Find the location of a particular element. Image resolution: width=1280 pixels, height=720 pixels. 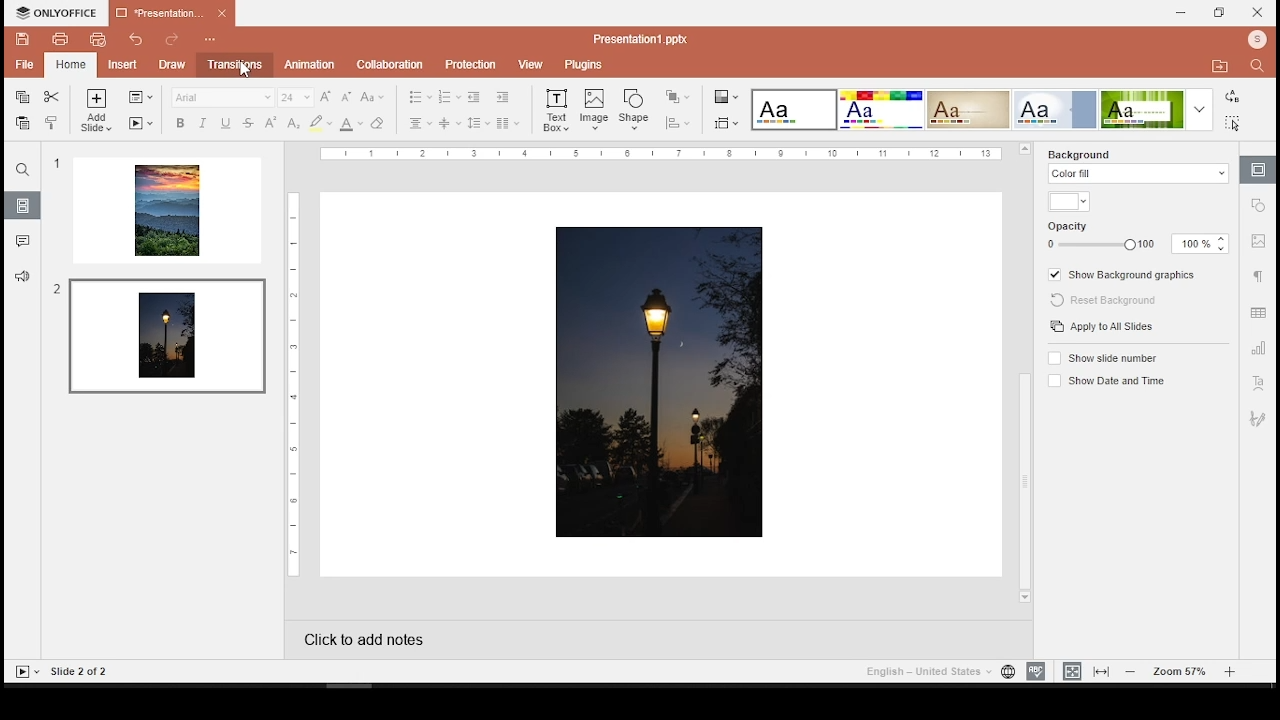

move is located at coordinates (1219, 64).